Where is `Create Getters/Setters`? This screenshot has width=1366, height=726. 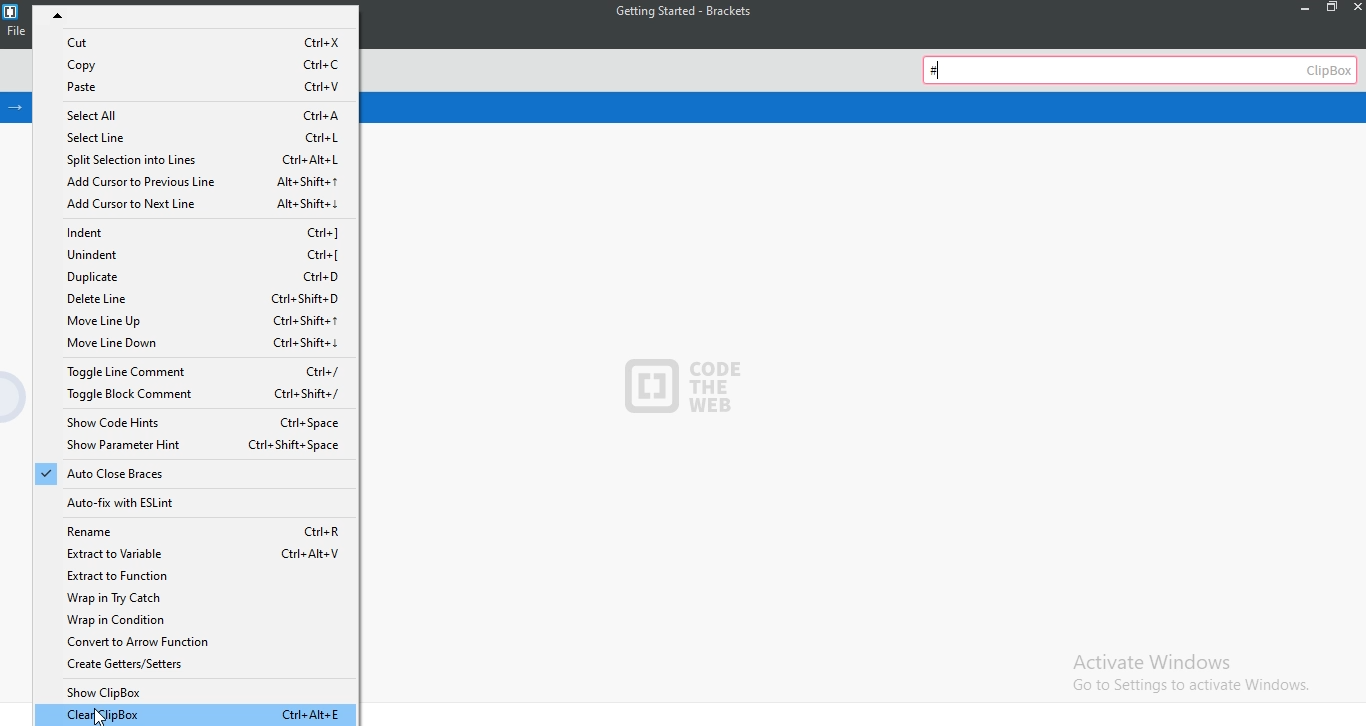 Create Getters/Setters is located at coordinates (192, 667).